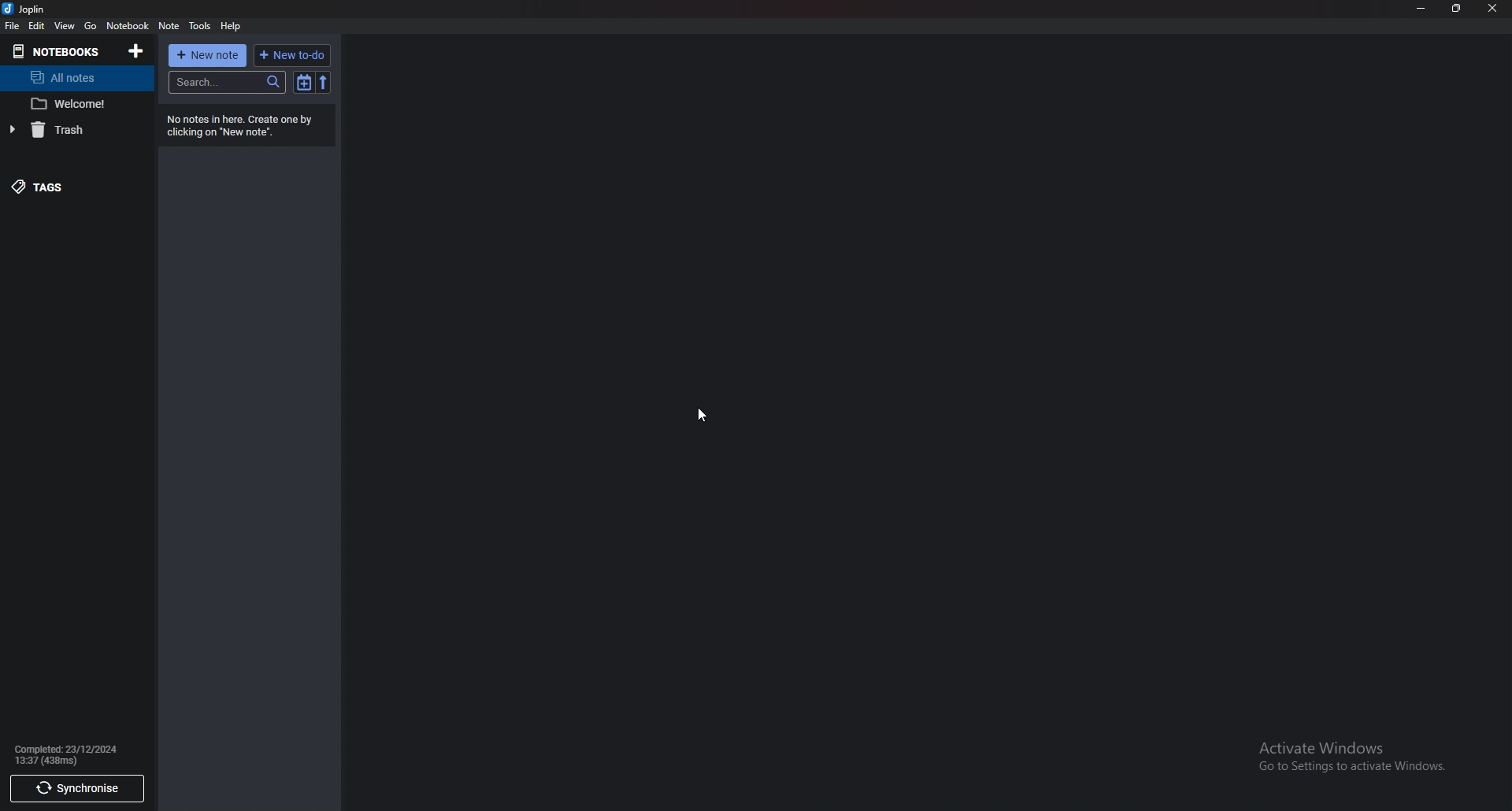 The height and width of the screenshot is (811, 1512). Describe the element at coordinates (324, 82) in the screenshot. I see `Reverse sort order` at that location.